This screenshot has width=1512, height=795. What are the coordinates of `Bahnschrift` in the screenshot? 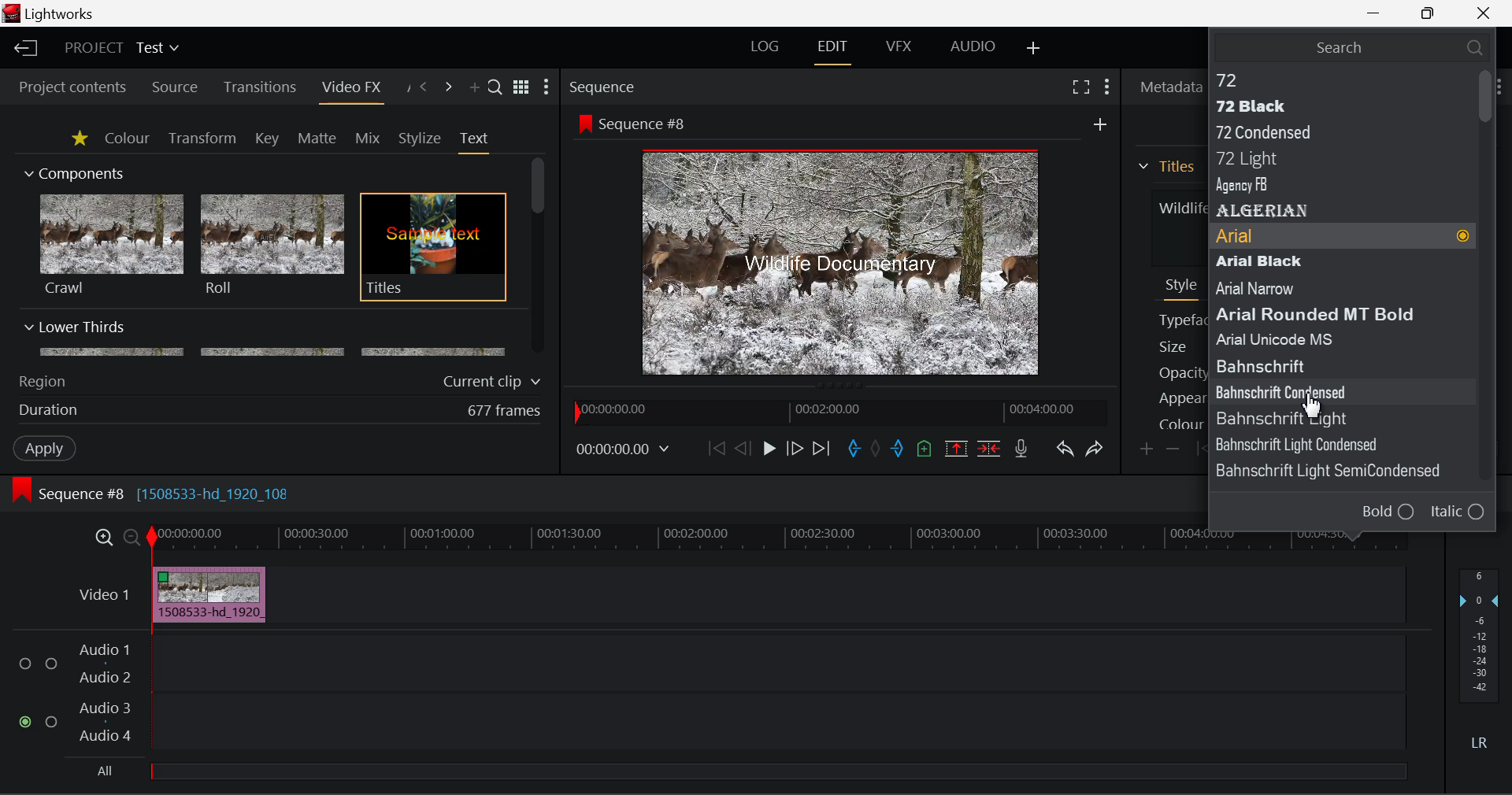 It's located at (1321, 418).